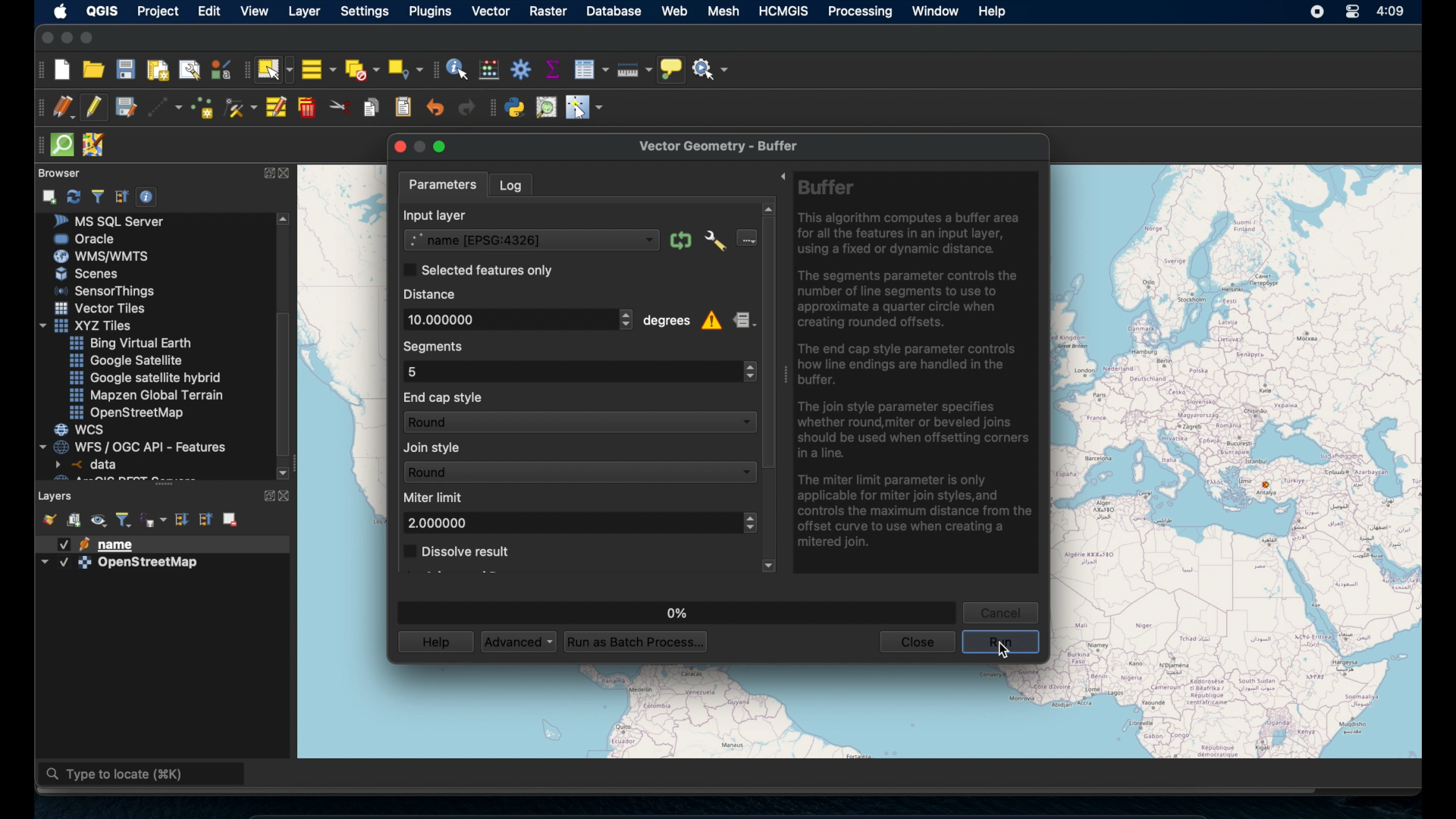 The image size is (1456, 819). I want to click on iterate over this layer, so click(679, 240).